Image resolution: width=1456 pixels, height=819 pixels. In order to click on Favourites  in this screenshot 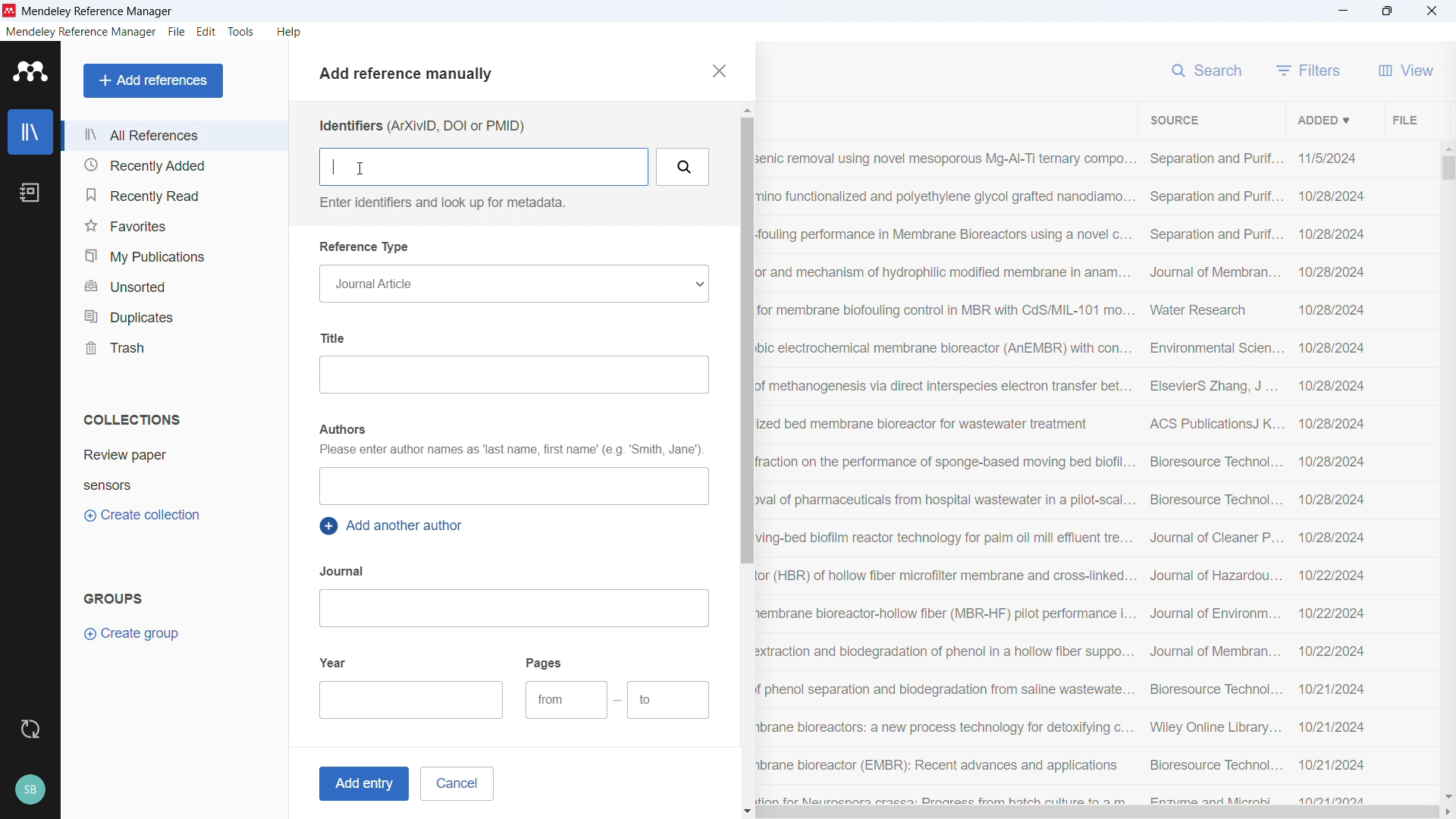, I will do `click(173, 225)`.